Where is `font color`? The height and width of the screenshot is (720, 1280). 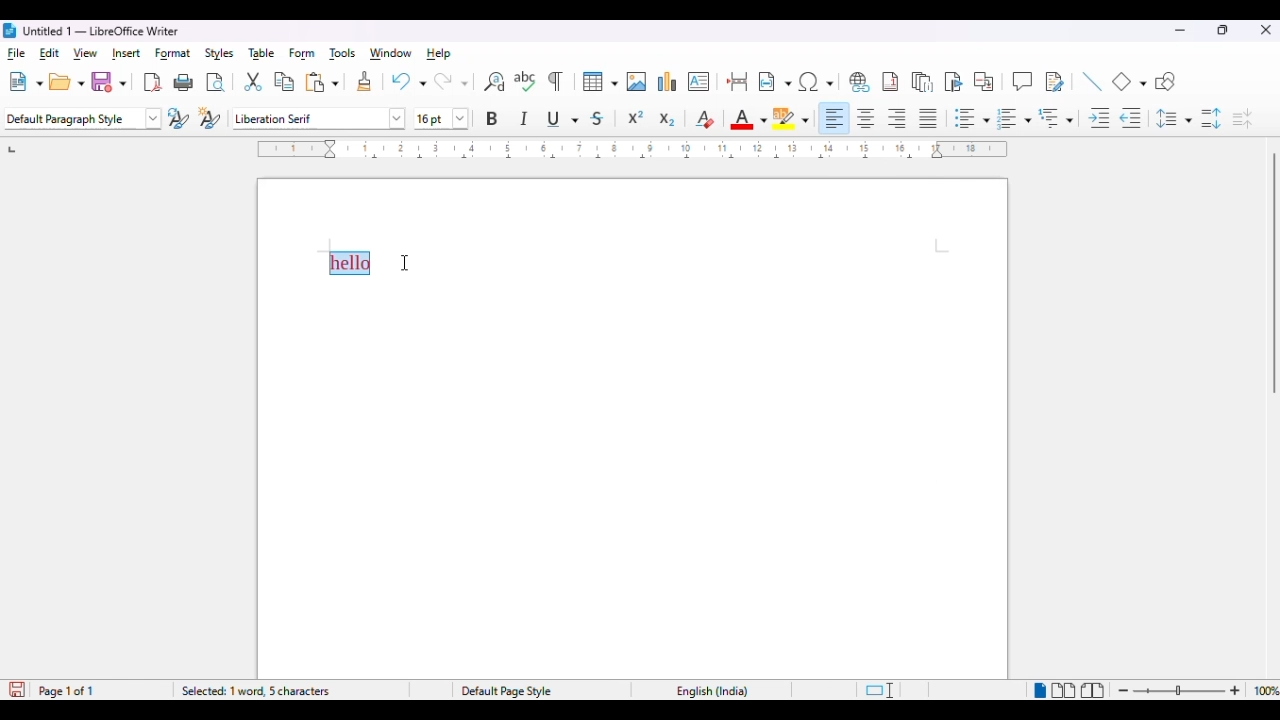
font color is located at coordinates (746, 117).